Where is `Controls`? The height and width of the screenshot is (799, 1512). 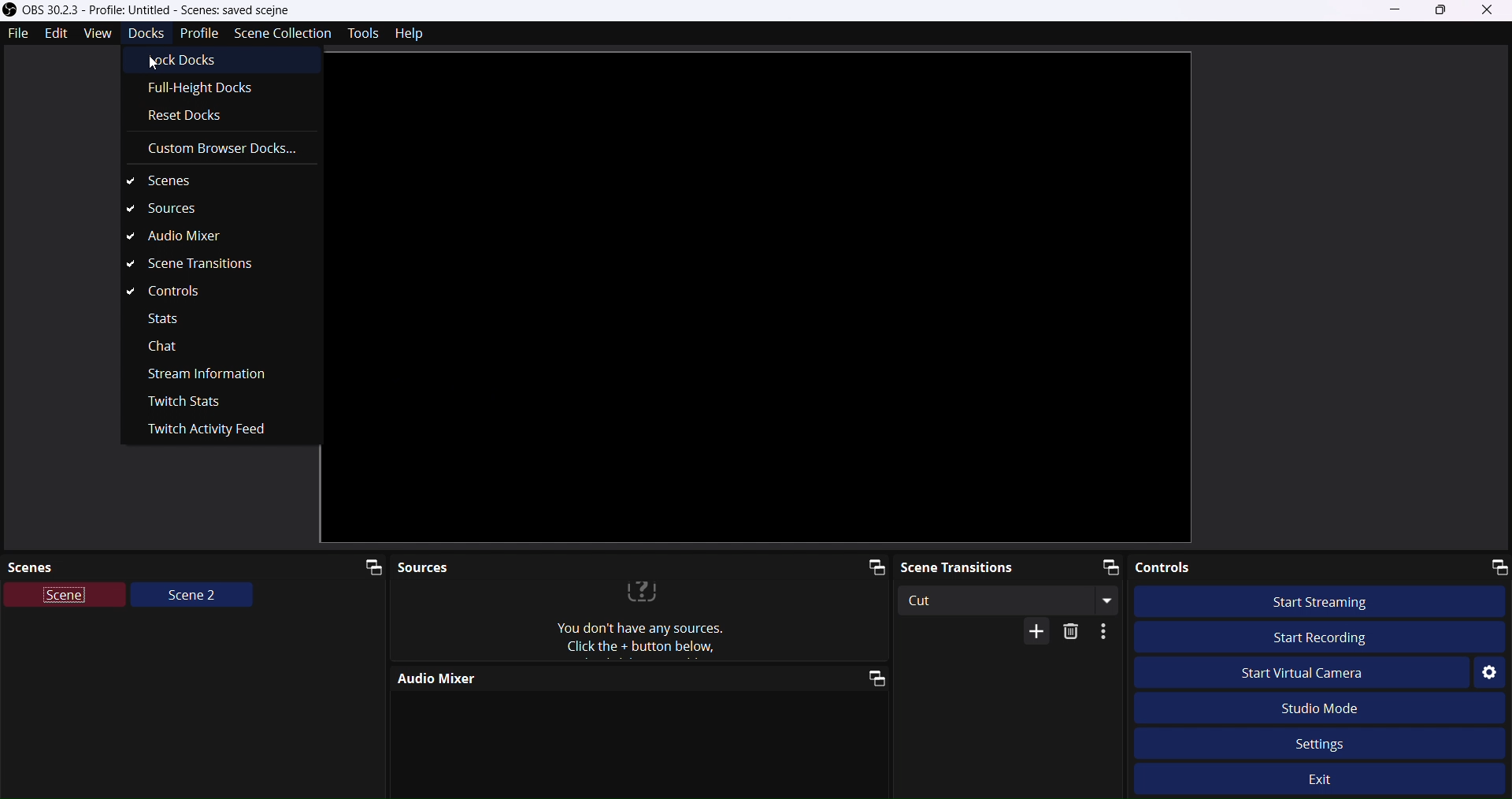 Controls is located at coordinates (172, 293).